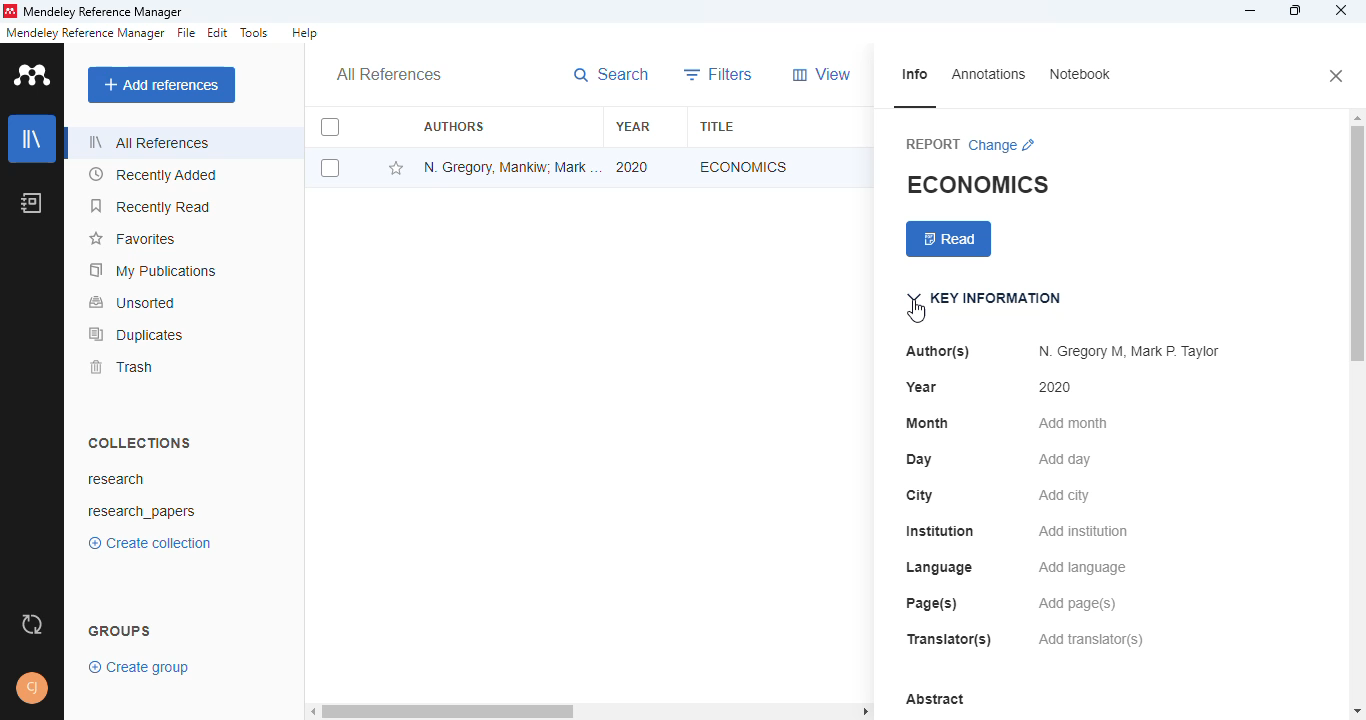 This screenshot has height=720, width=1366. I want to click on horizontal scroll bar, so click(593, 710).